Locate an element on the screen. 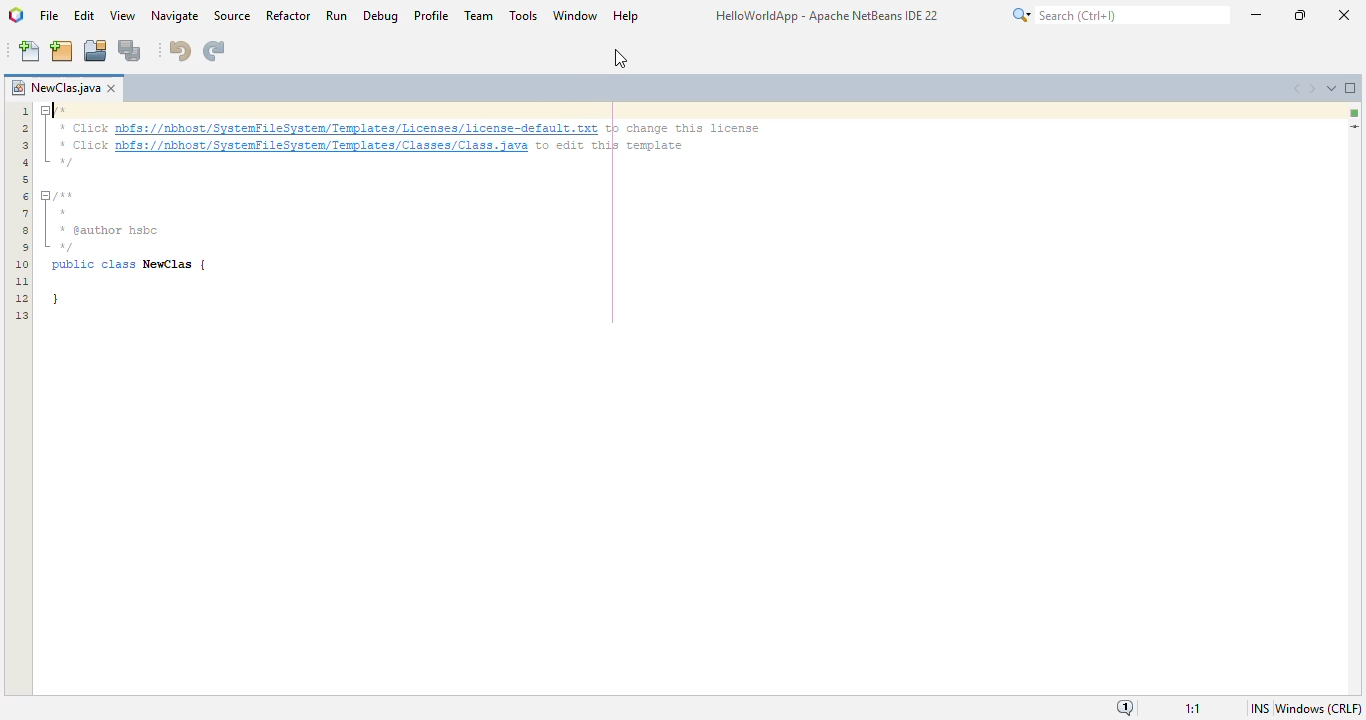  close window is located at coordinates (111, 88).